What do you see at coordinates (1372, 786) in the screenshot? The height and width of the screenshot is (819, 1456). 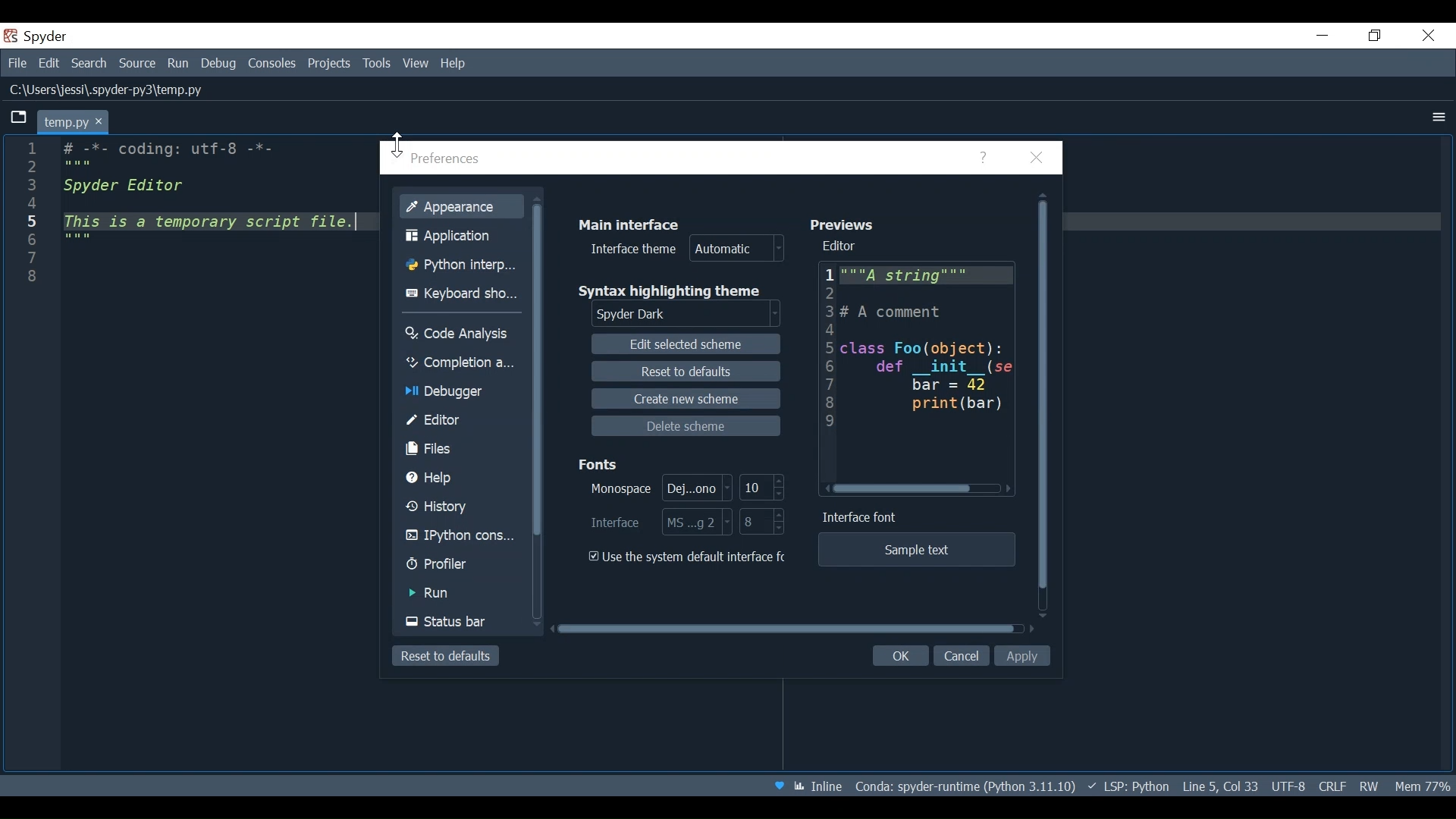 I see `File Permission` at bounding box center [1372, 786].